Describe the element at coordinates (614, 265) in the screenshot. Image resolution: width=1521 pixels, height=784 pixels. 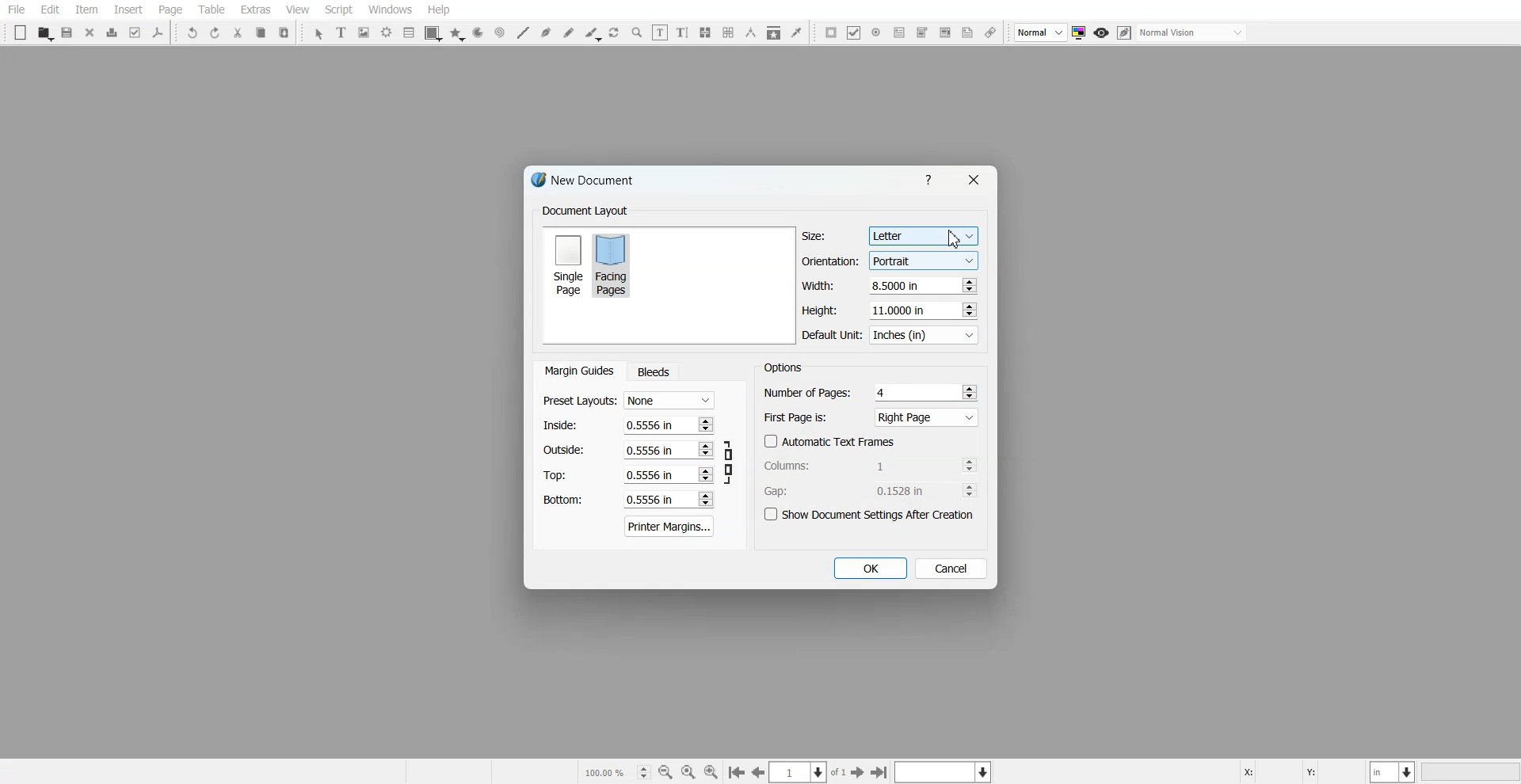
I see `Facing Pages` at that location.